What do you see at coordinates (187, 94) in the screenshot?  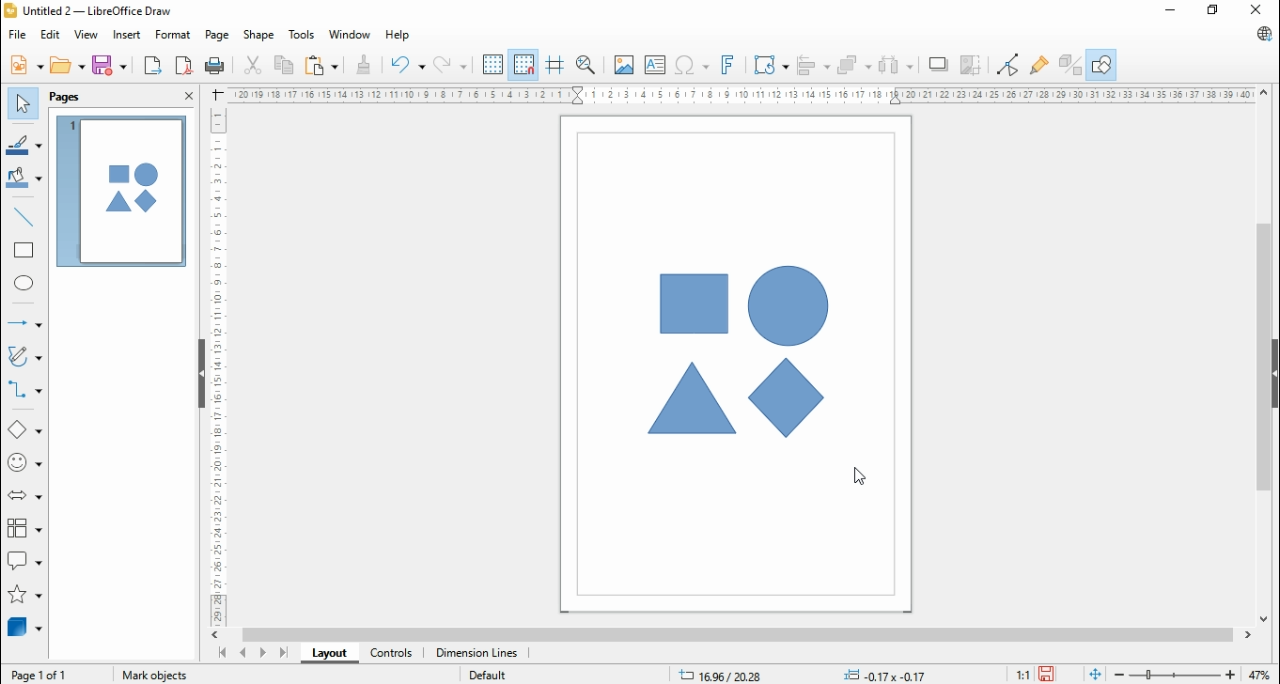 I see `close pane` at bounding box center [187, 94].